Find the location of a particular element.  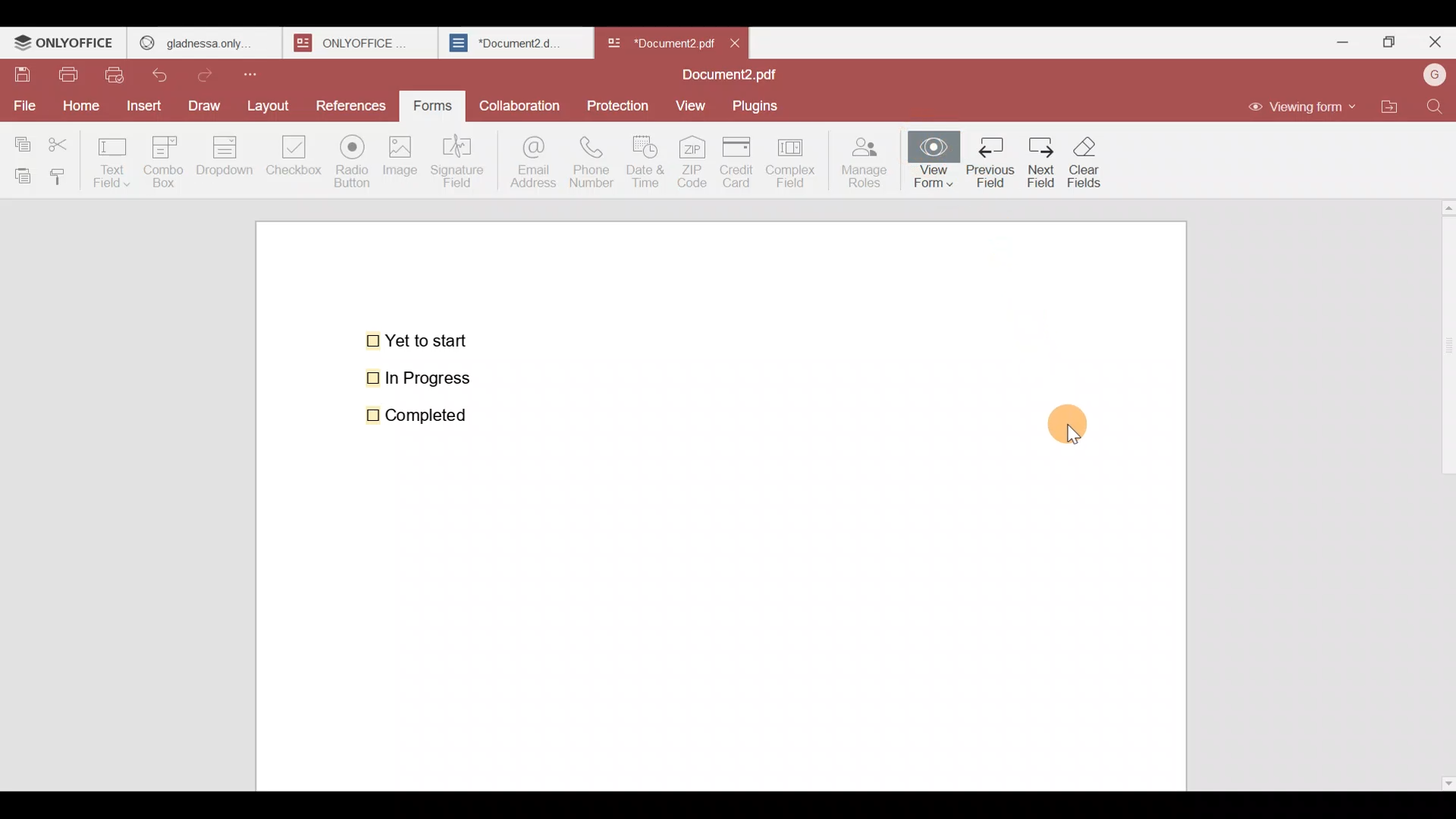

Copy style is located at coordinates (64, 173).